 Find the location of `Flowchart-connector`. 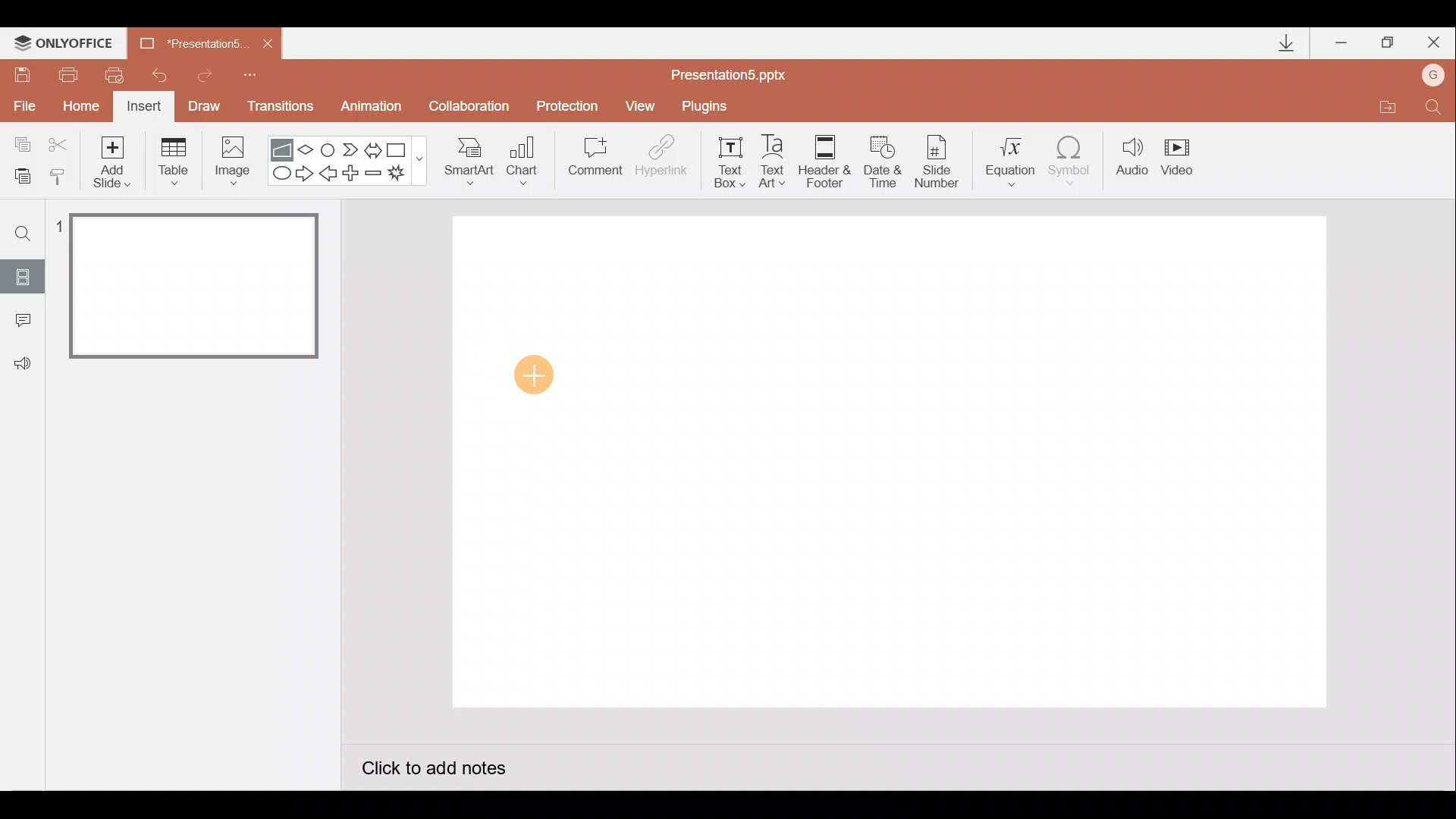

Flowchart-connector is located at coordinates (329, 149).